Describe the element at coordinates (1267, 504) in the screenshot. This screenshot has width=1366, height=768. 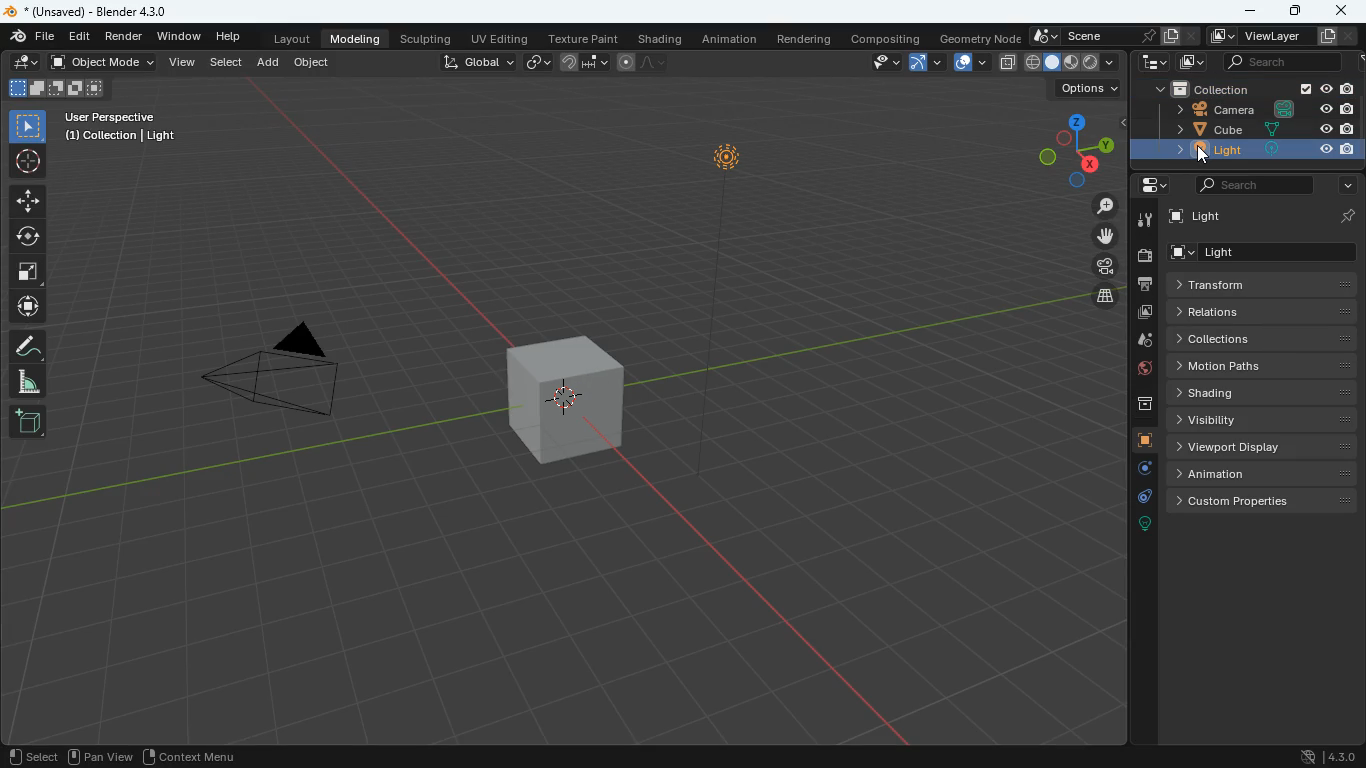
I see `custom properties` at that location.